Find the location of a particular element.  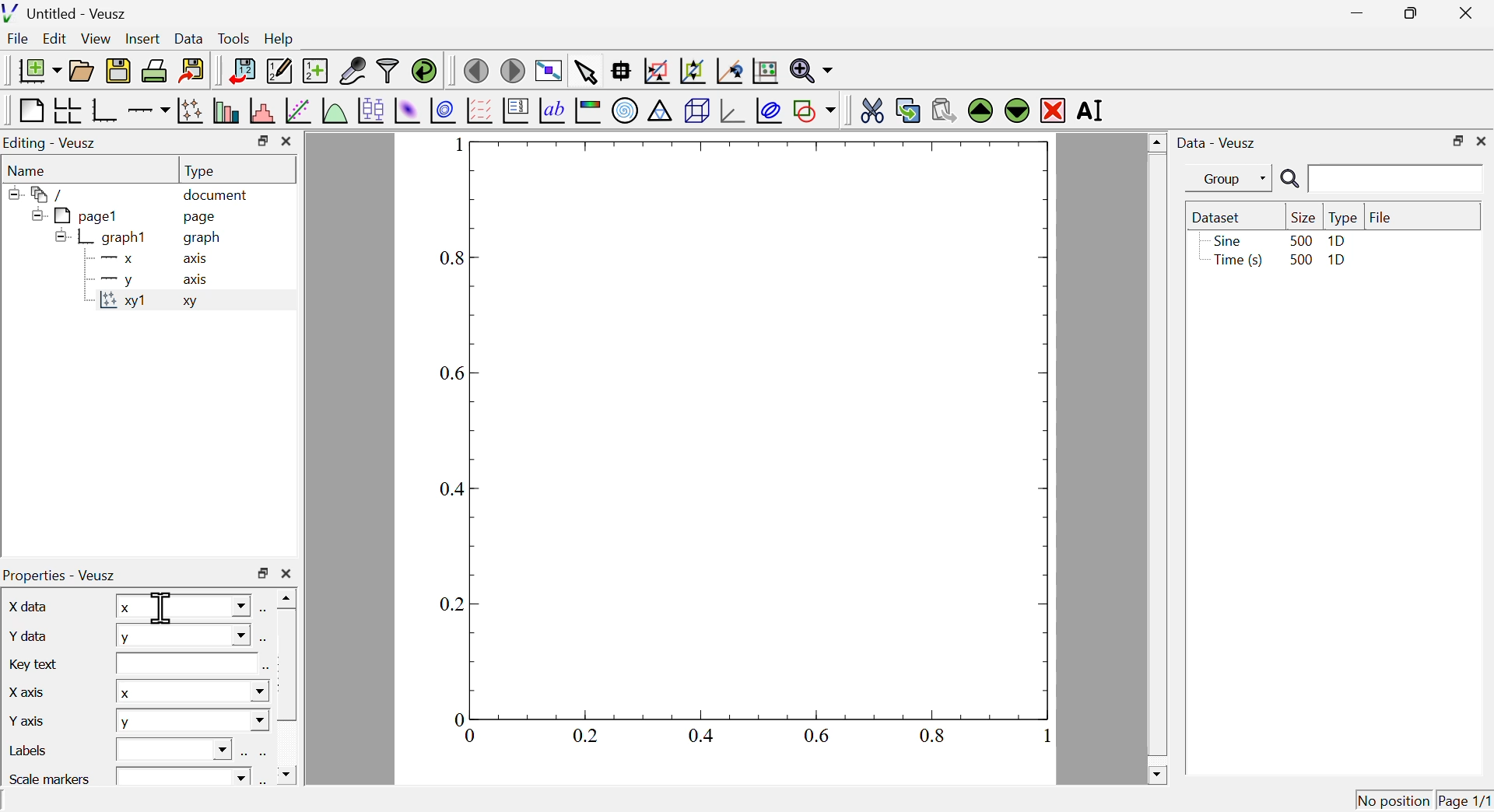

plot bar charts is located at coordinates (226, 112).